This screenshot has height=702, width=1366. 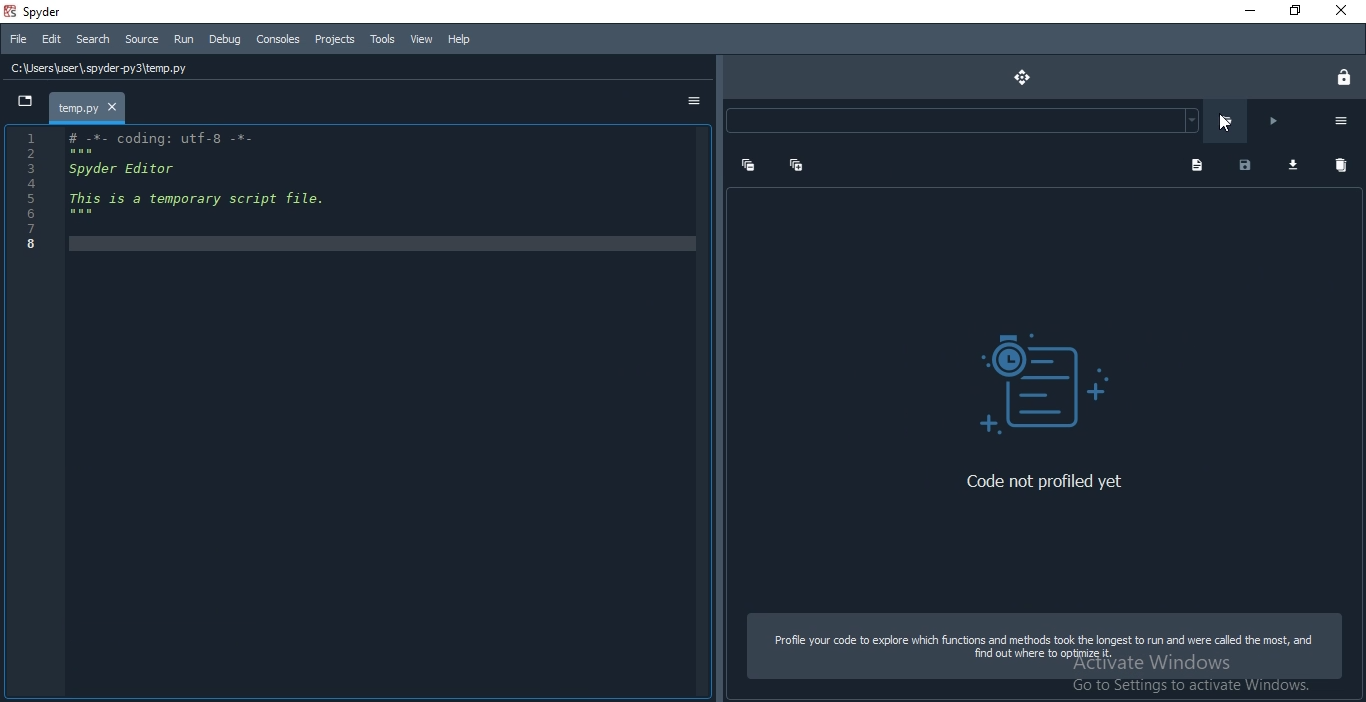 What do you see at coordinates (357, 413) in the screenshot?
I see `IDE` at bounding box center [357, 413].